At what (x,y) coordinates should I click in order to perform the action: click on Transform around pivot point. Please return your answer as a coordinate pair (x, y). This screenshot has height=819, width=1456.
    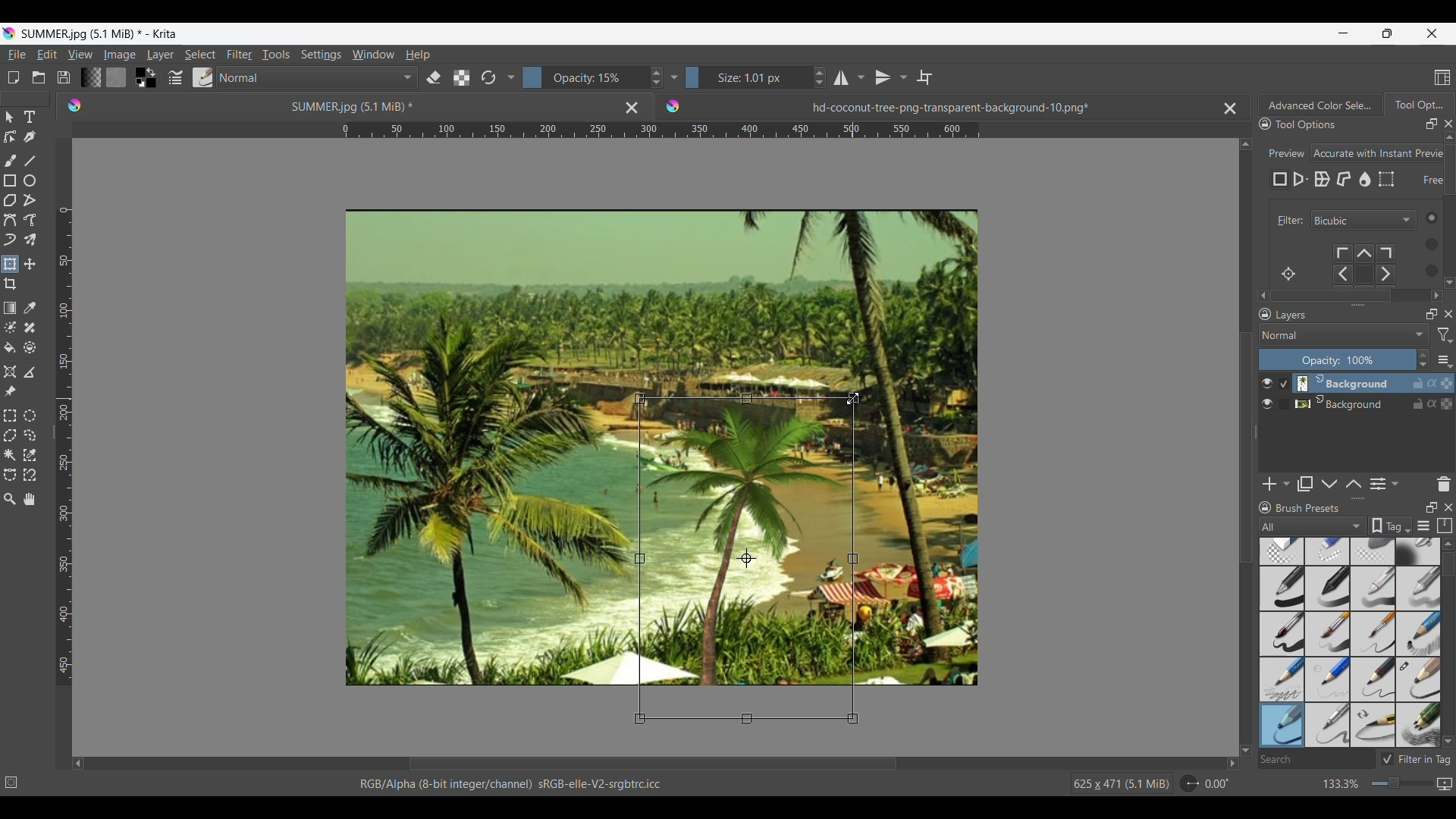
    Looking at the image, I should click on (1288, 274).